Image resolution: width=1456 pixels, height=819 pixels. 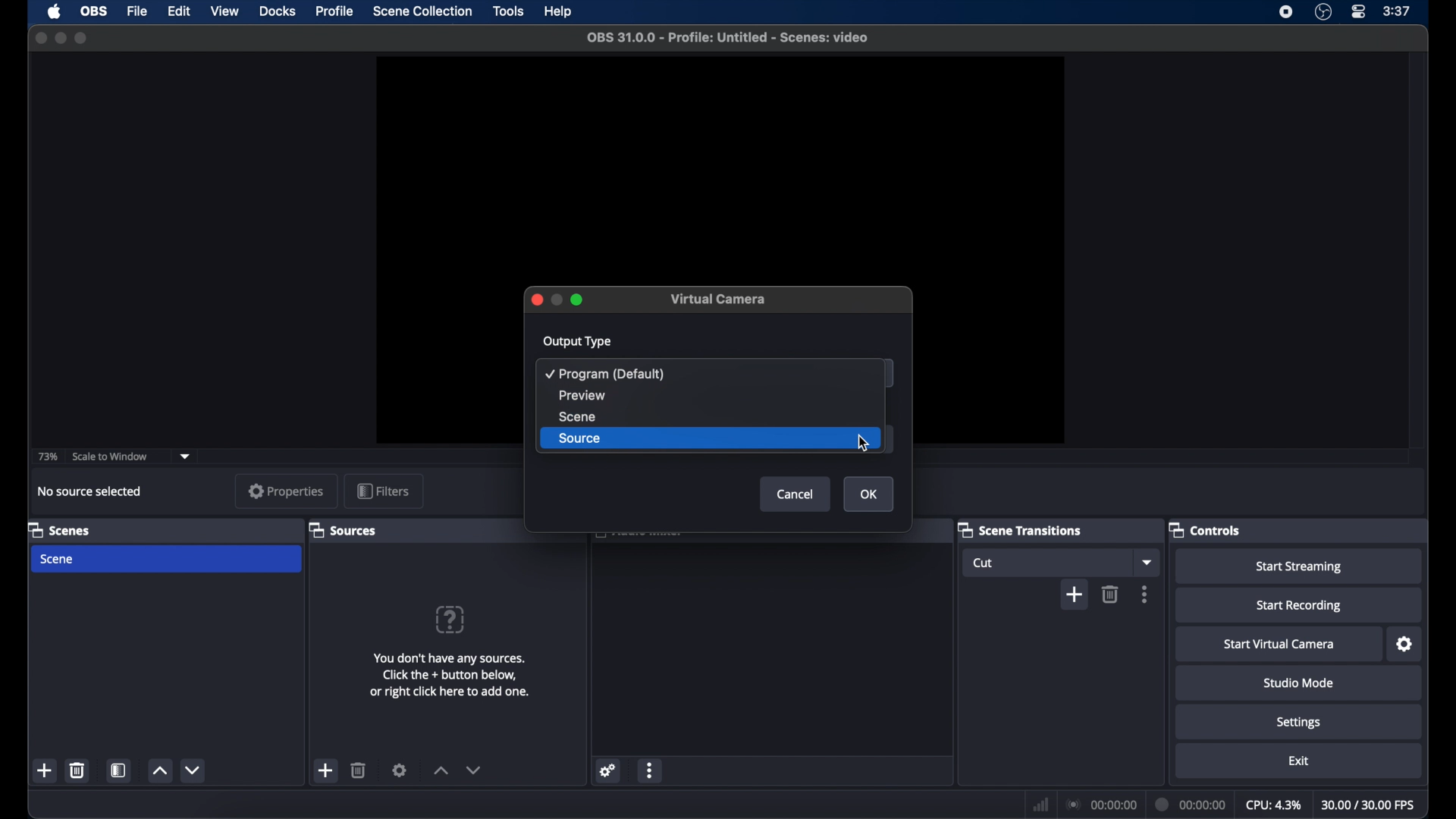 I want to click on settings, so click(x=1298, y=723).